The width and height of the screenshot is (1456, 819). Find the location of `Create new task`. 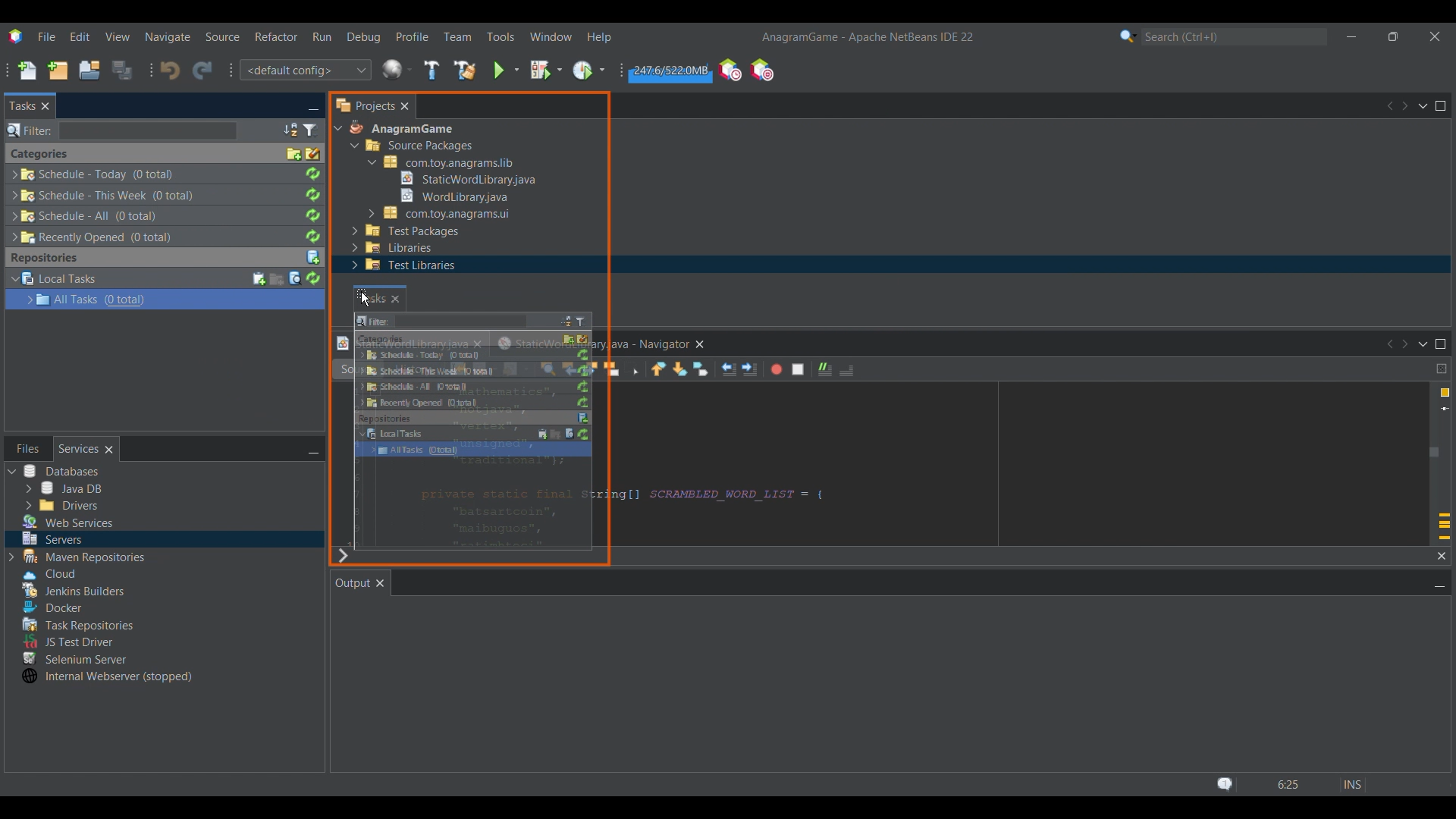

Create new task is located at coordinates (259, 279).